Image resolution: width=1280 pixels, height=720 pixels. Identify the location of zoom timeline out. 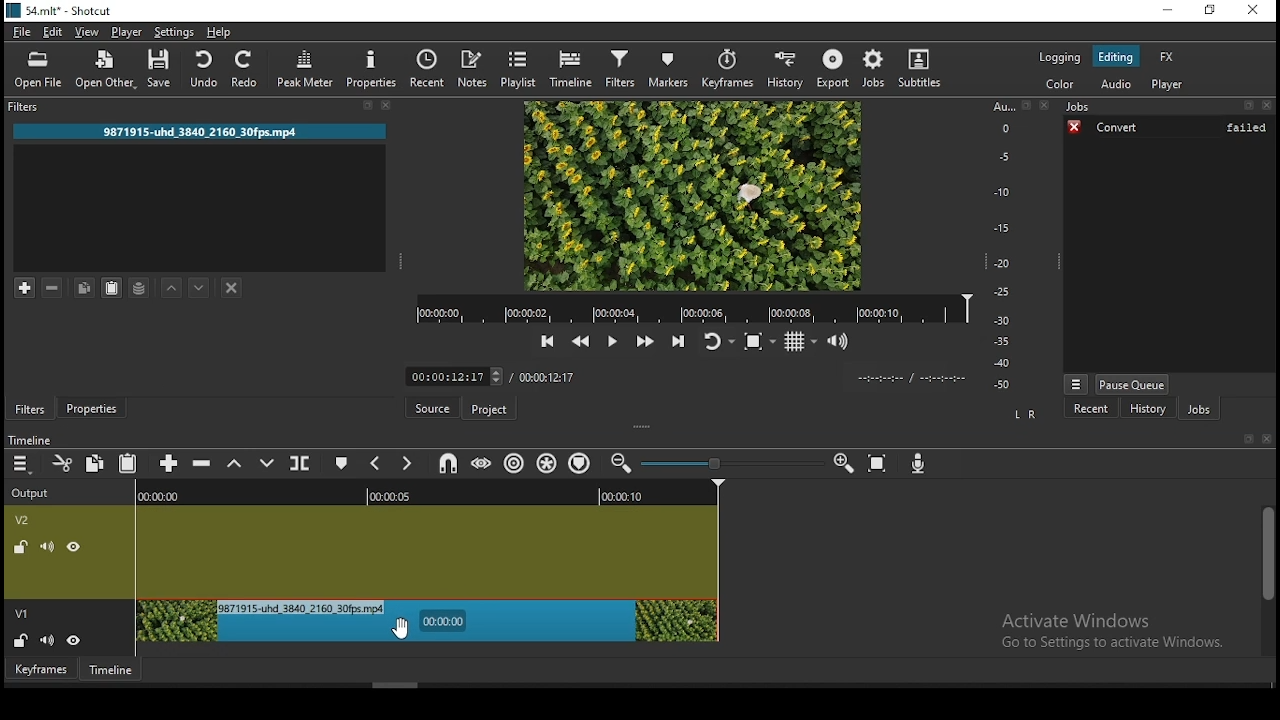
(841, 465).